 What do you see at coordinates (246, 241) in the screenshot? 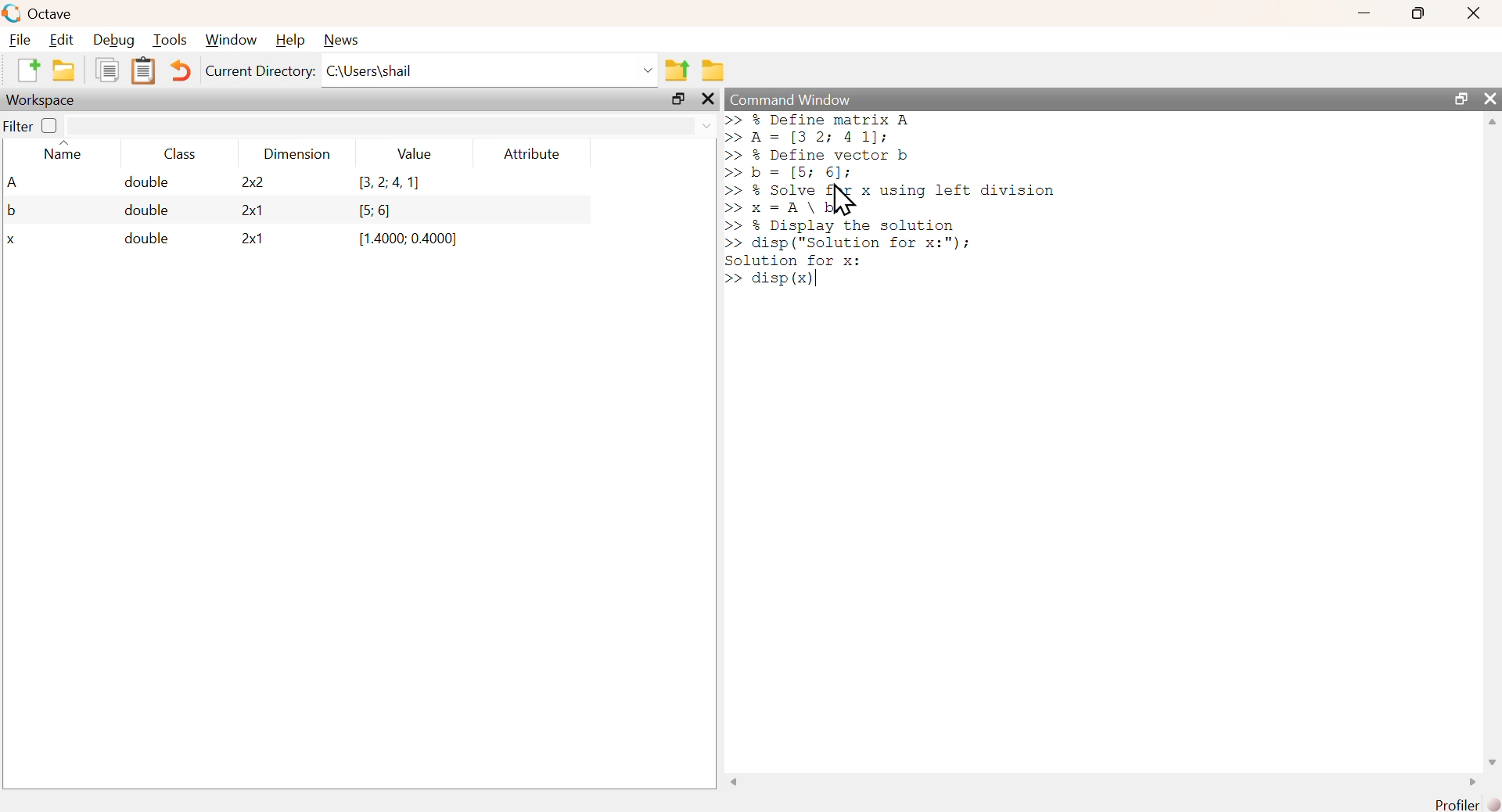
I see `2x1` at bounding box center [246, 241].